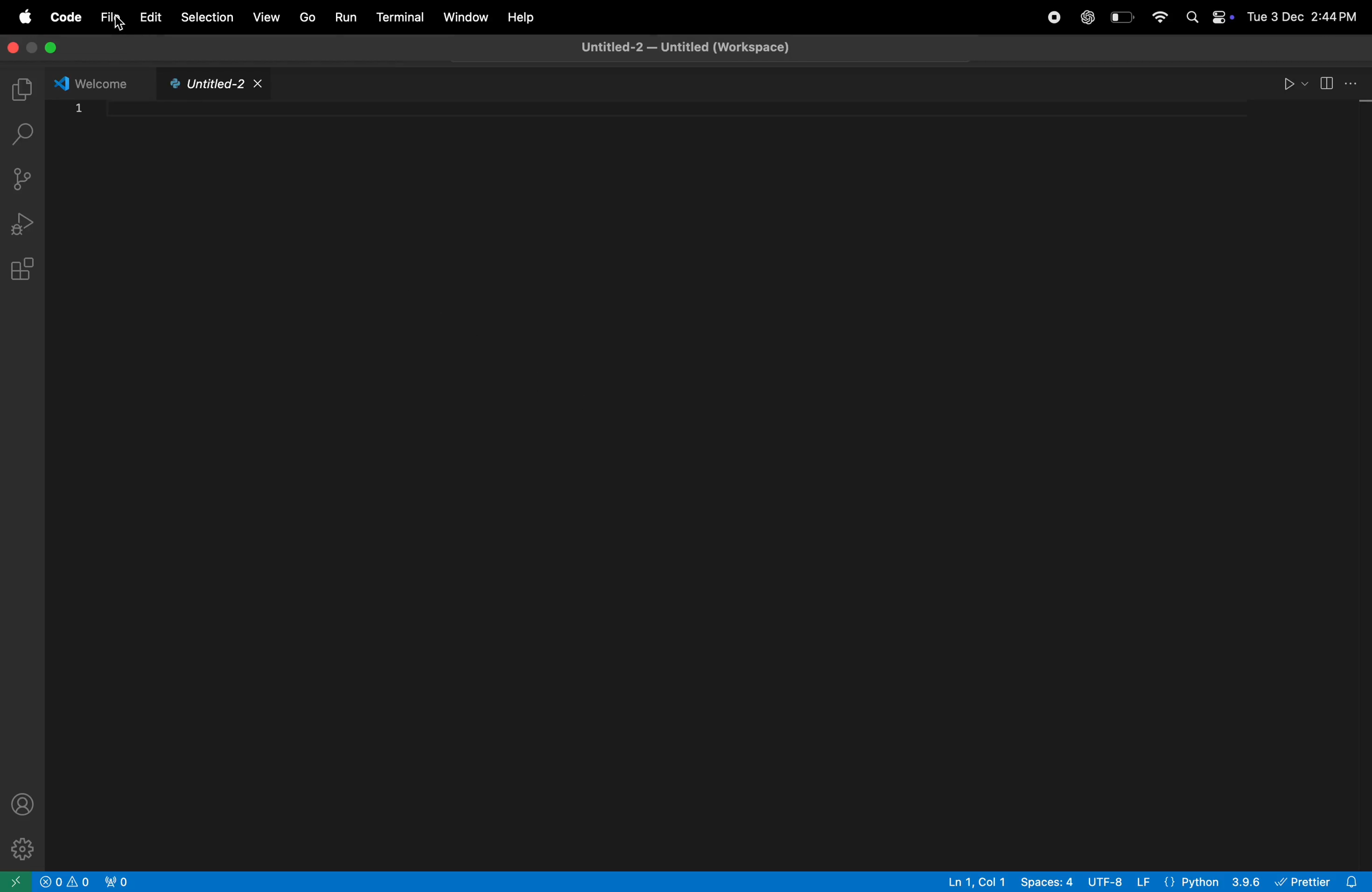 This screenshot has width=1372, height=892. What do you see at coordinates (210, 85) in the screenshot?
I see `python file` at bounding box center [210, 85].